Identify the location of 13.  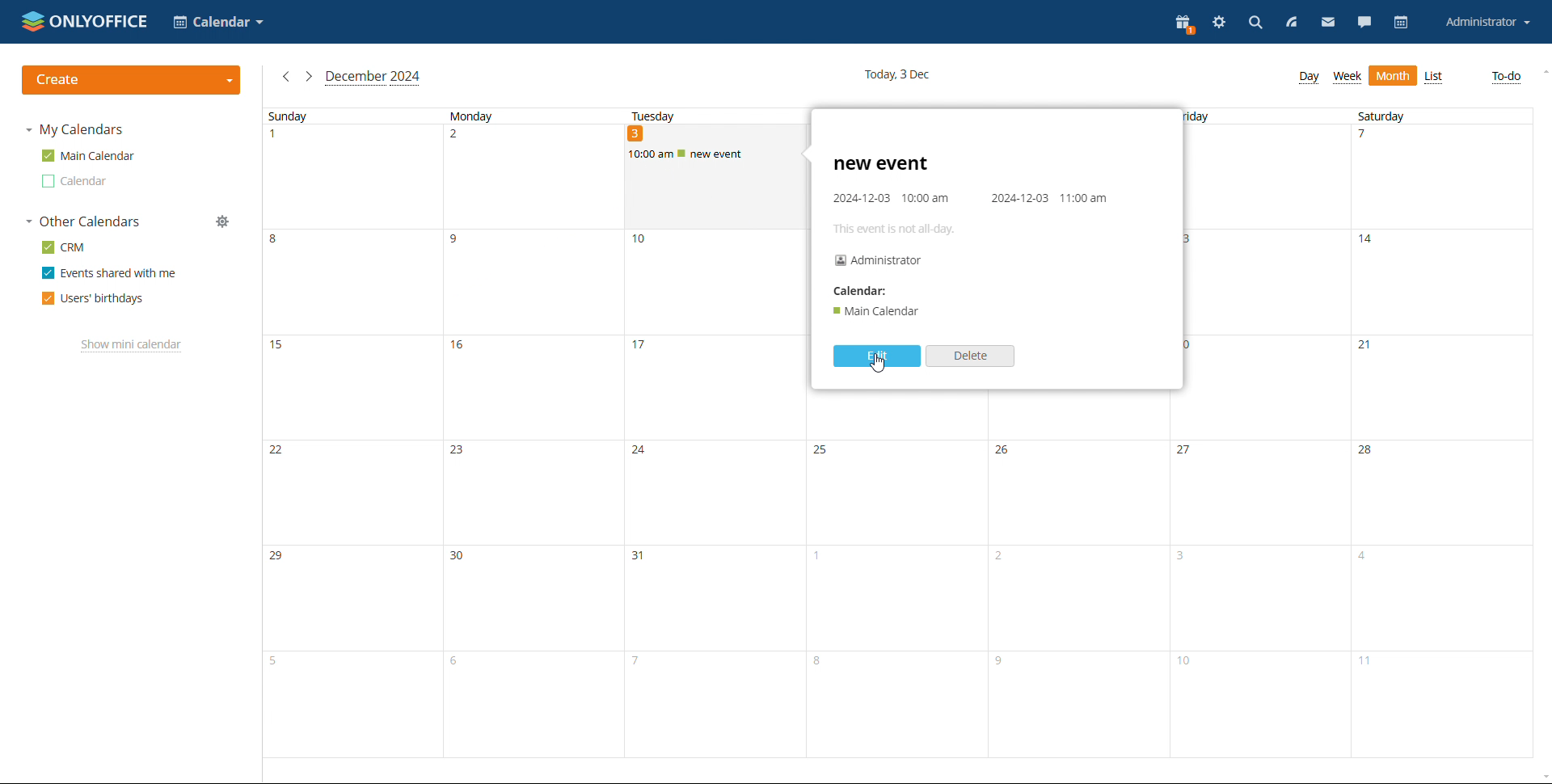
(1267, 282).